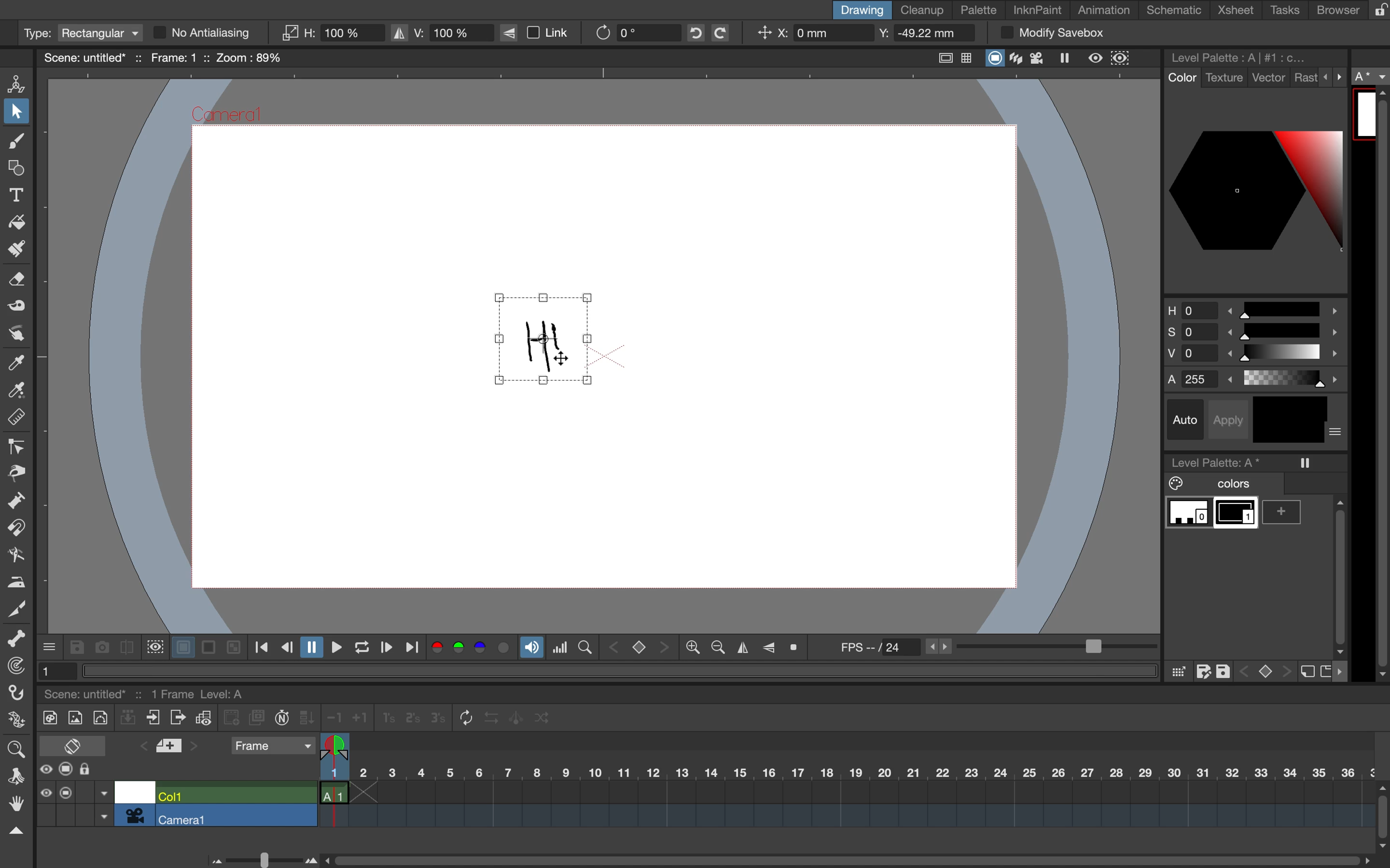 The image size is (1390, 868). I want to click on x coordinate, so click(809, 34).